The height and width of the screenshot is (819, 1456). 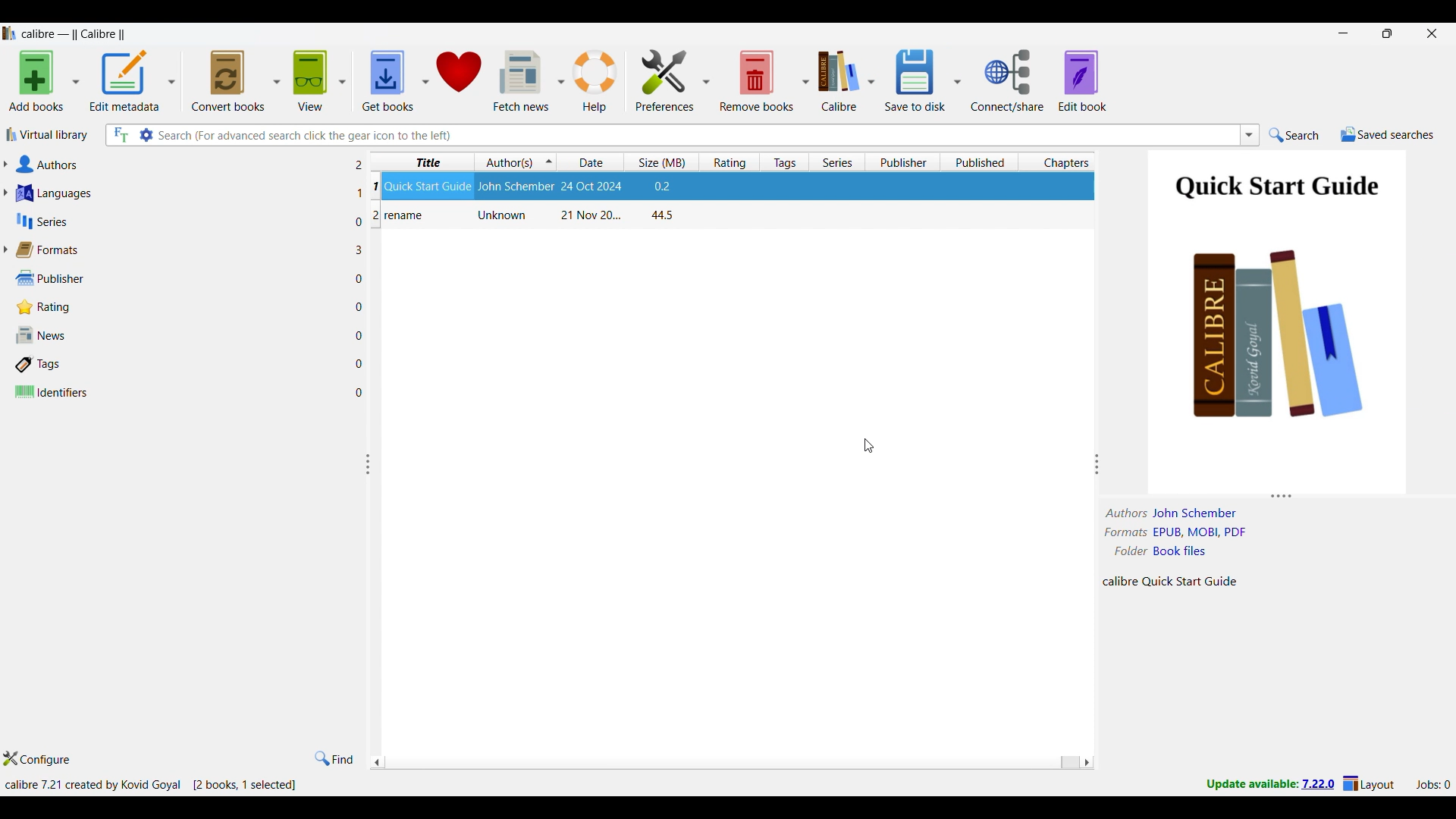 I want to click on Input search here, so click(x=697, y=135).